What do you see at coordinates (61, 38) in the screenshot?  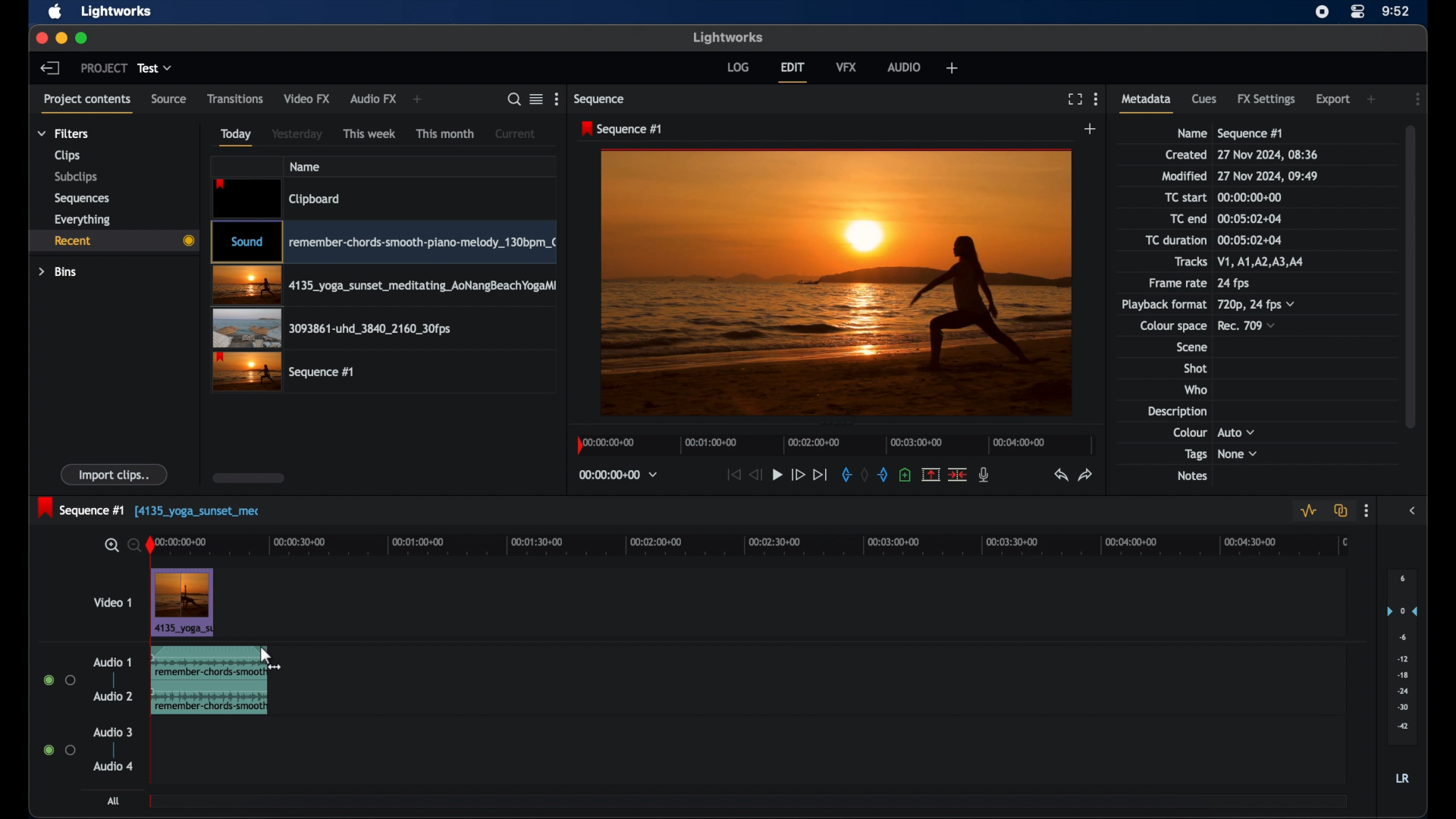 I see `minimize` at bounding box center [61, 38].